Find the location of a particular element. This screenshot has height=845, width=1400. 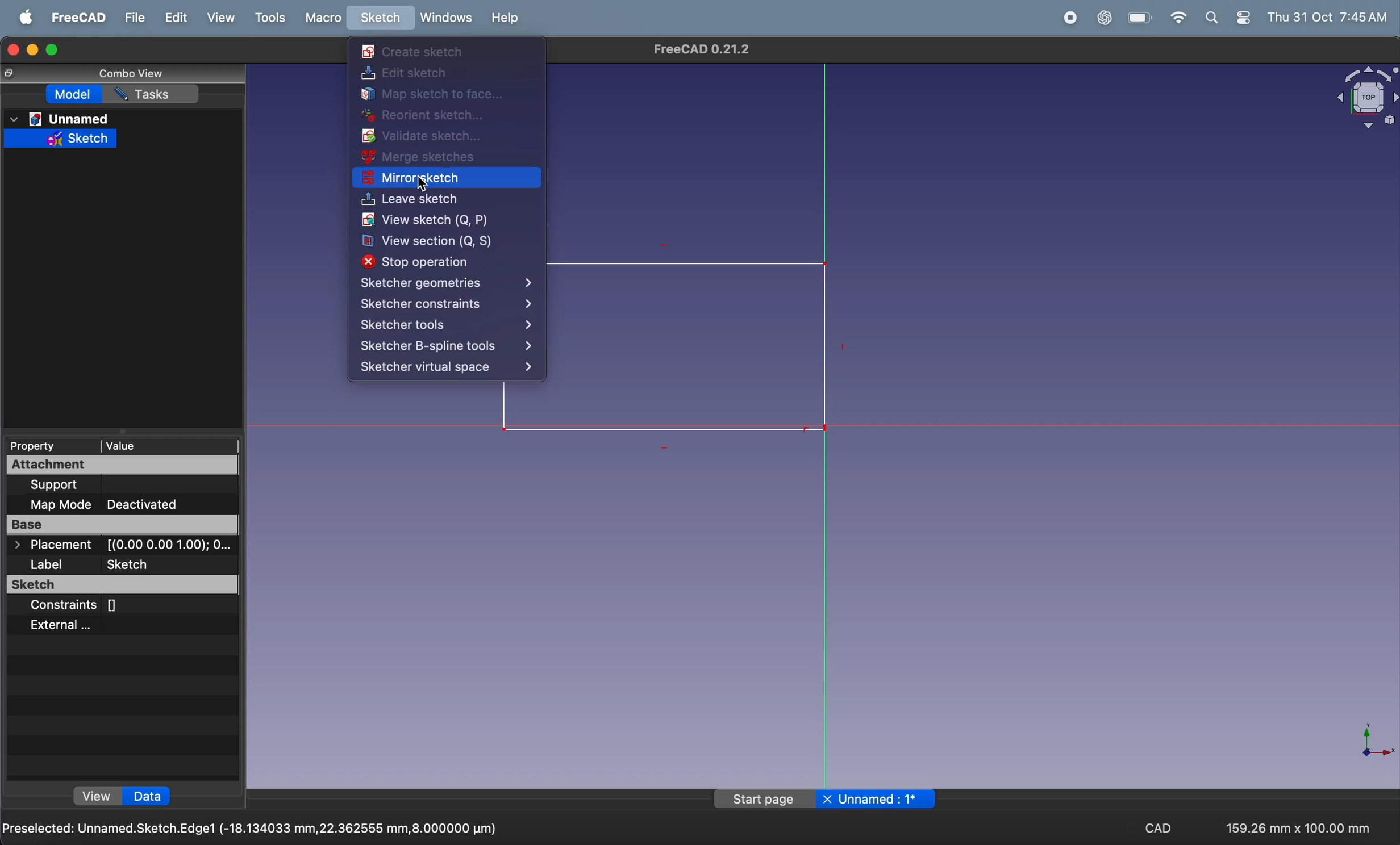

maximize is located at coordinates (55, 52).